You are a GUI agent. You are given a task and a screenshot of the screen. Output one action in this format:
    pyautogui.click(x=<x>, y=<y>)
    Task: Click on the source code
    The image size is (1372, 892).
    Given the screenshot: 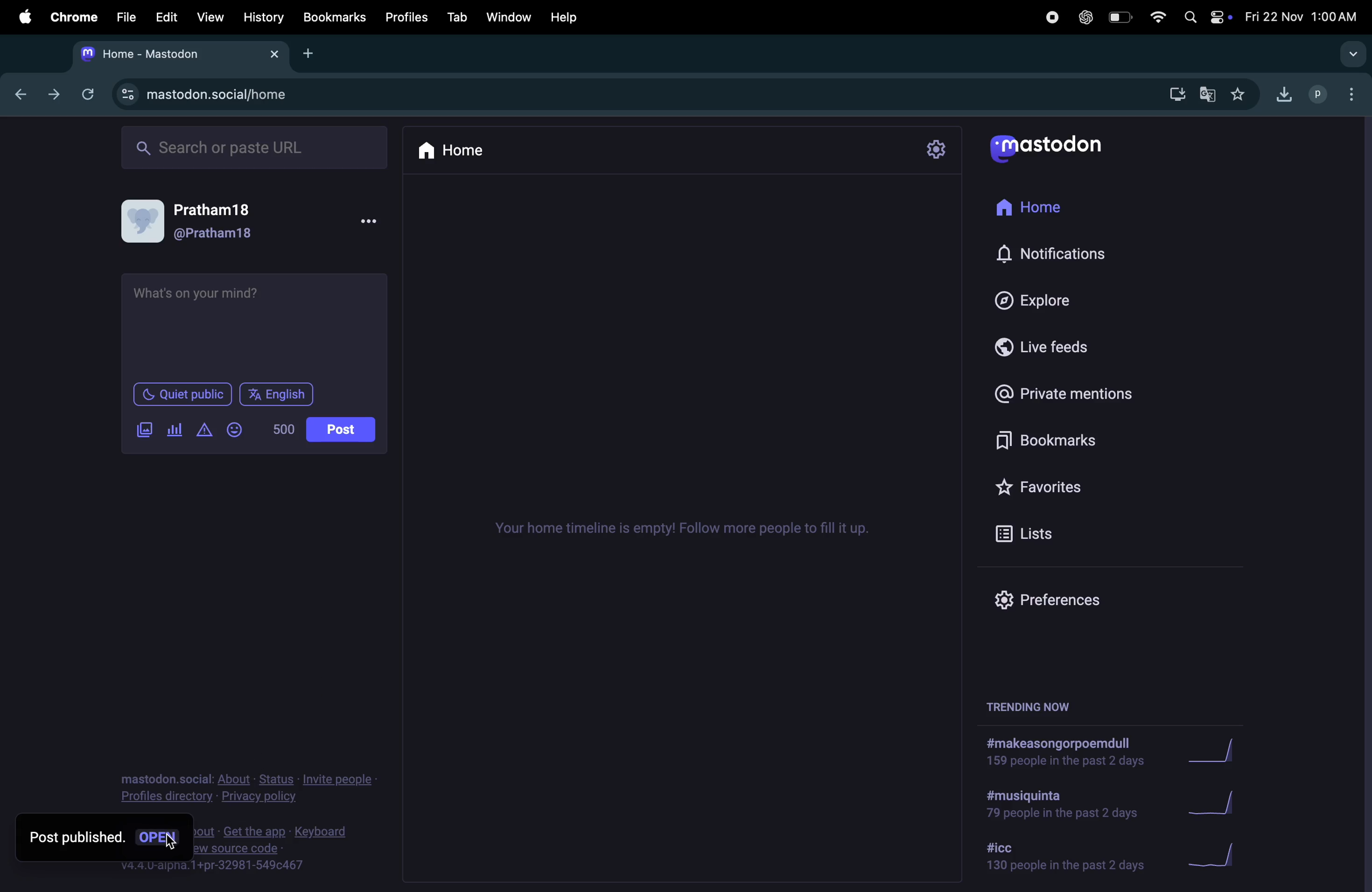 What is the action you would take?
    pyautogui.click(x=238, y=848)
    